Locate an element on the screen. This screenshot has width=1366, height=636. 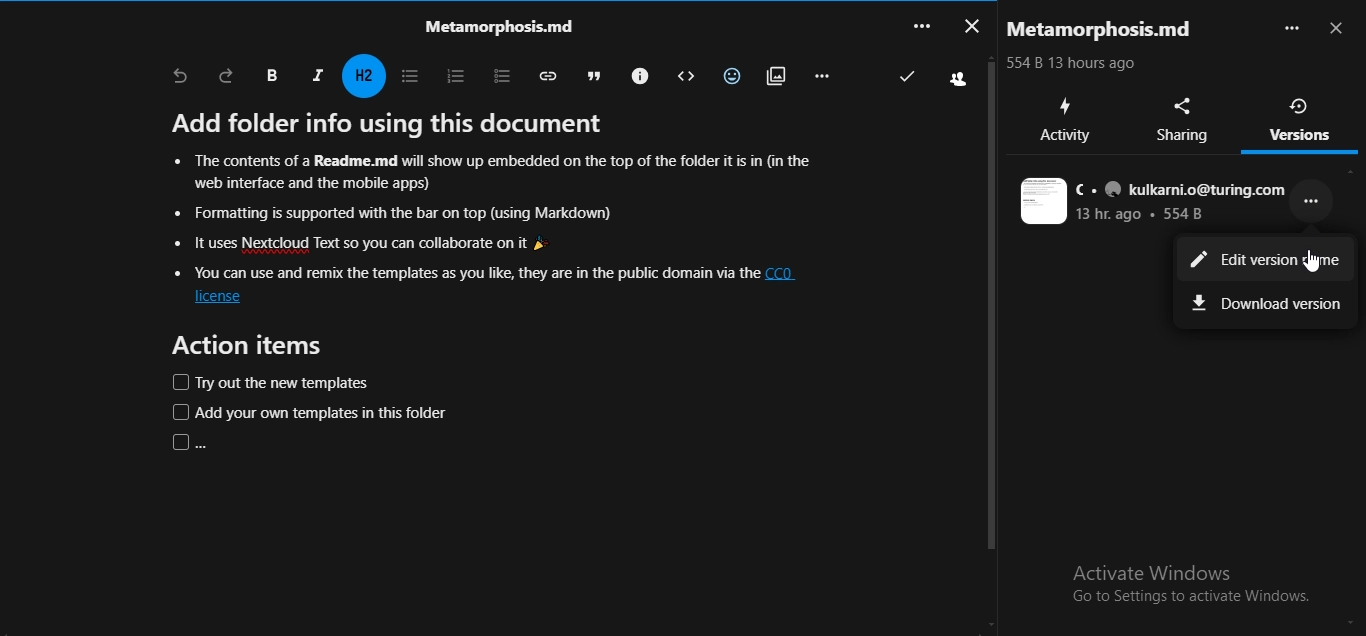
close is located at coordinates (1339, 30).